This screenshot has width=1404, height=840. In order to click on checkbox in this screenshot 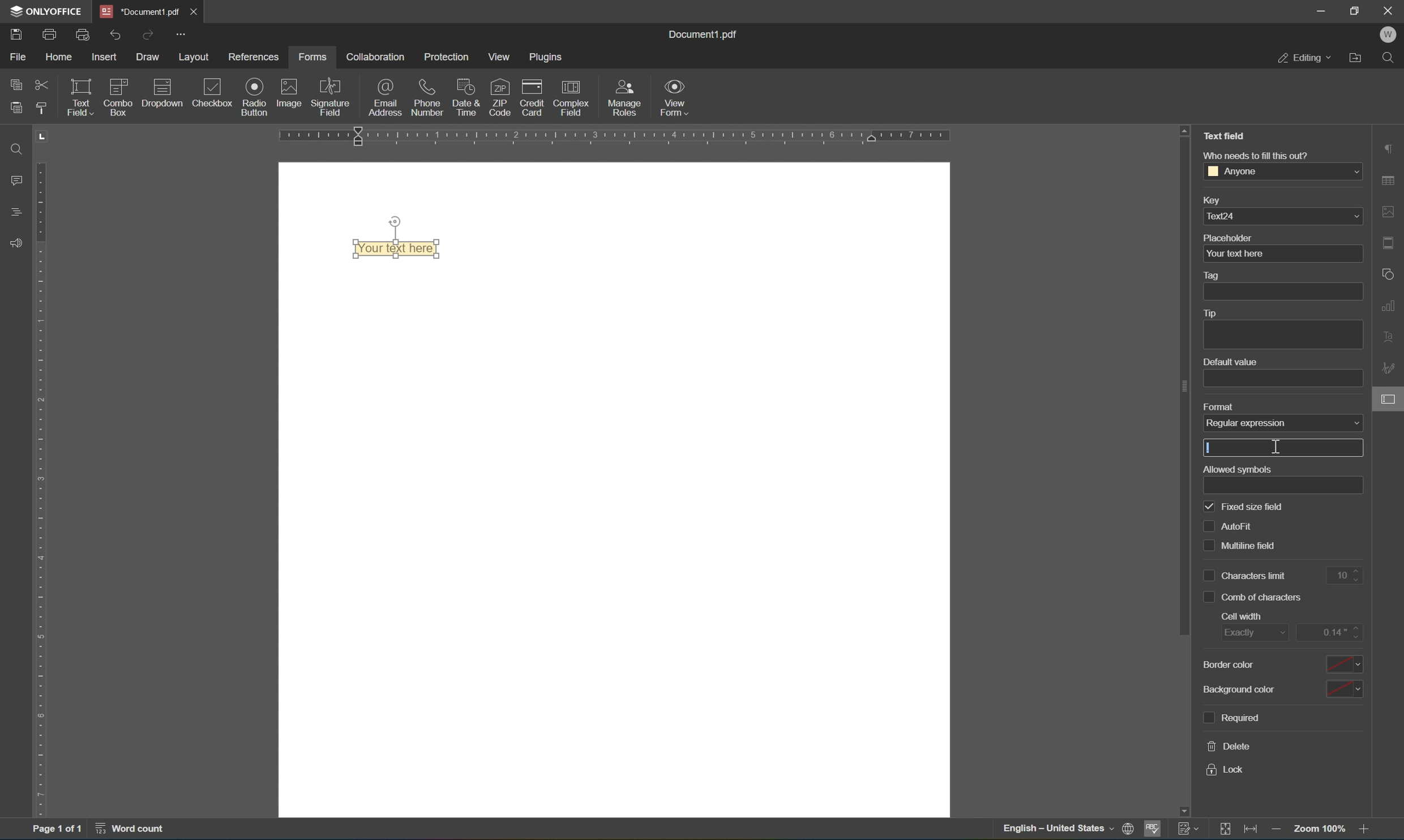, I will do `click(215, 94)`.